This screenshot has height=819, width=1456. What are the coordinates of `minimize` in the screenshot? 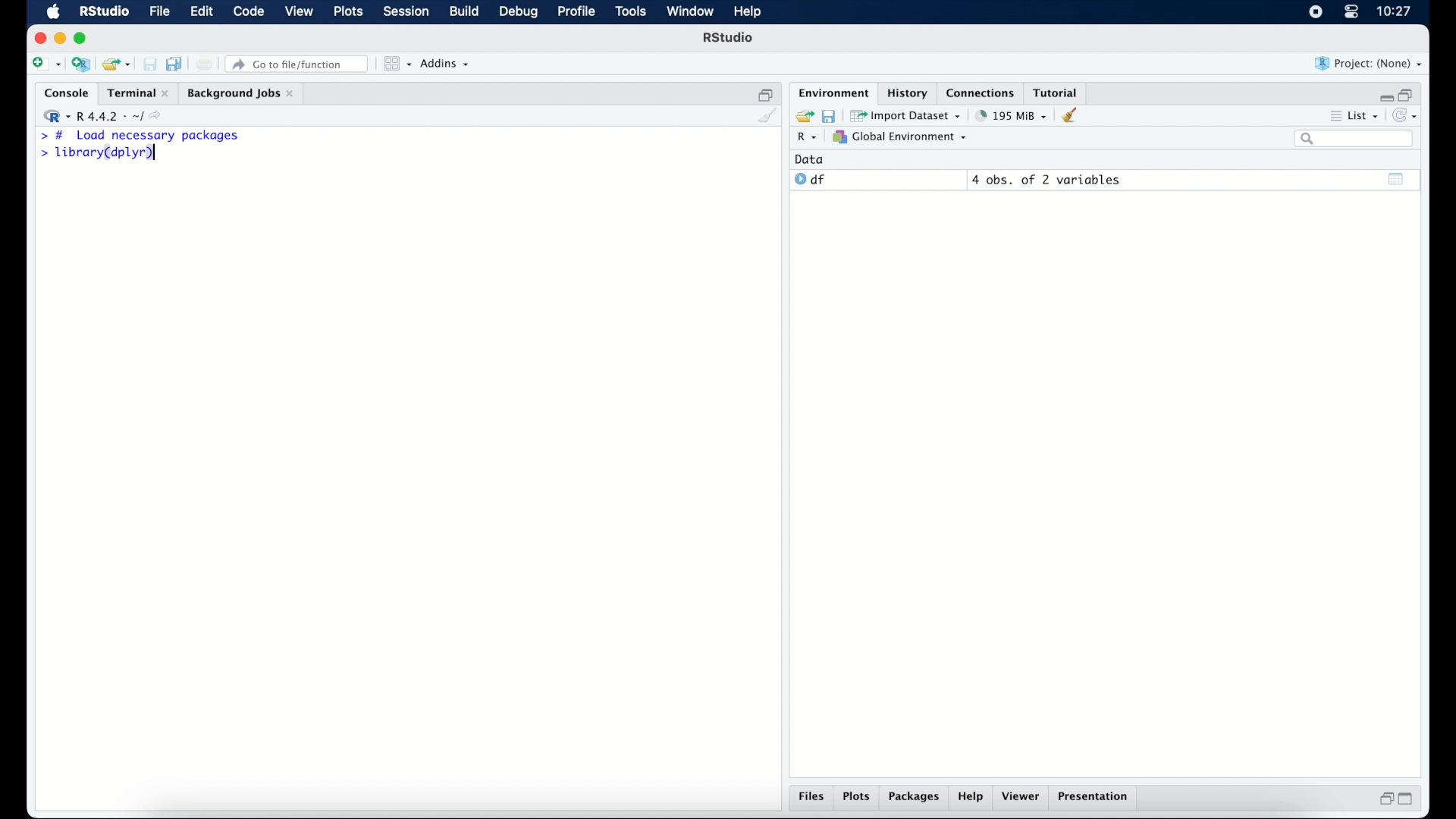 It's located at (1384, 94).